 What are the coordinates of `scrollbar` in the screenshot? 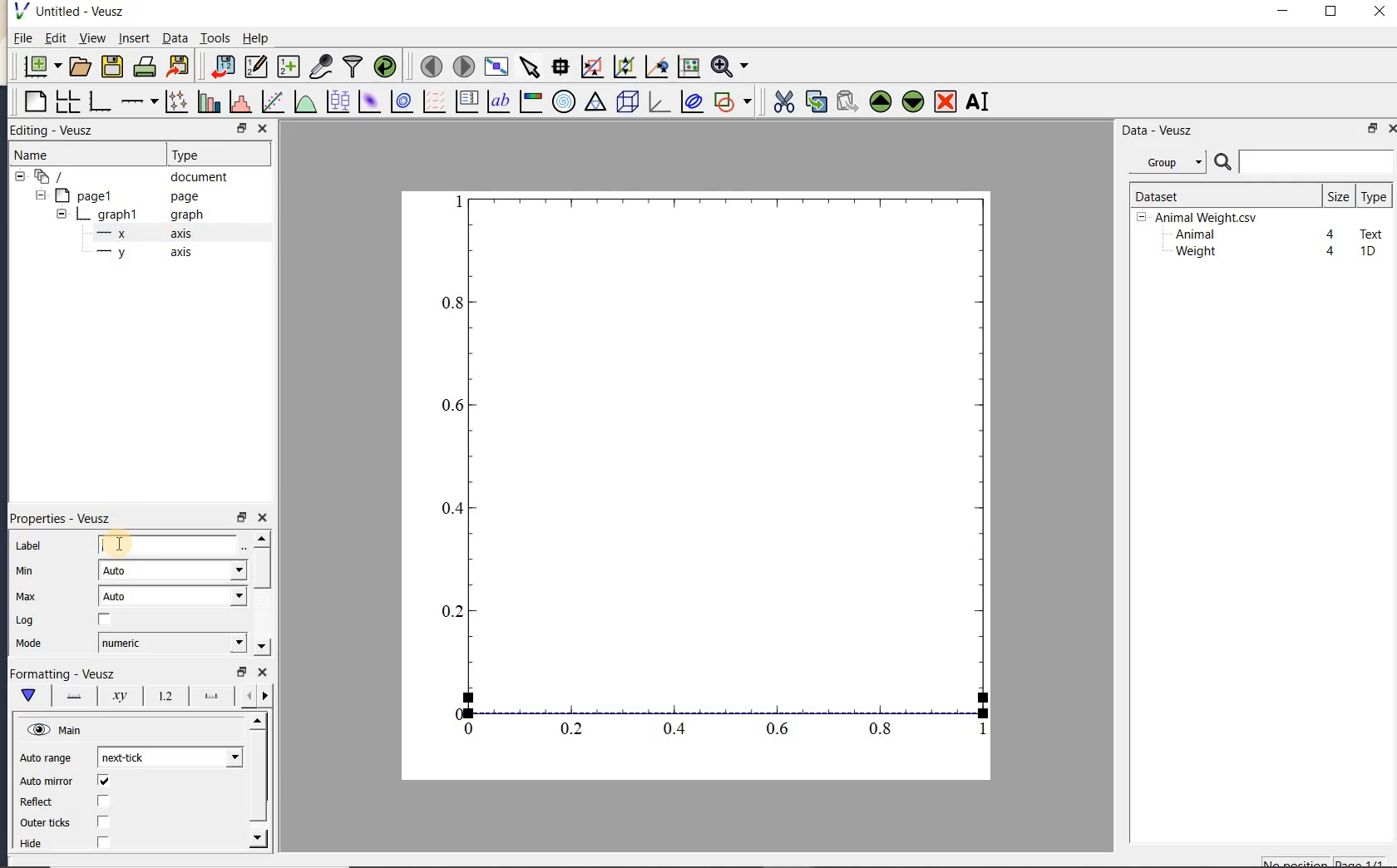 It's located at (259, 781).